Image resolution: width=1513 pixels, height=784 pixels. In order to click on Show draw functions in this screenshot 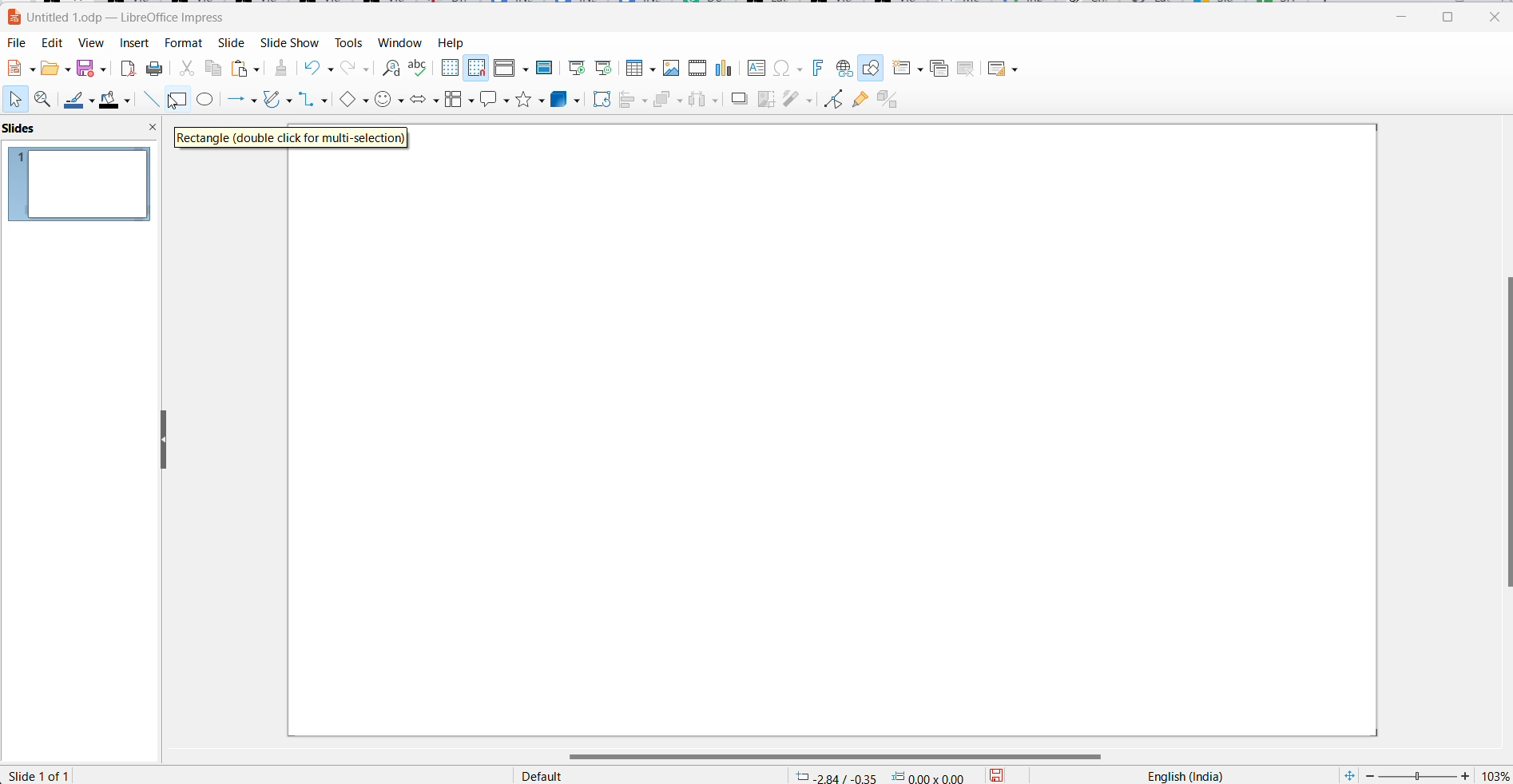, I will do `click(872, 69)`.